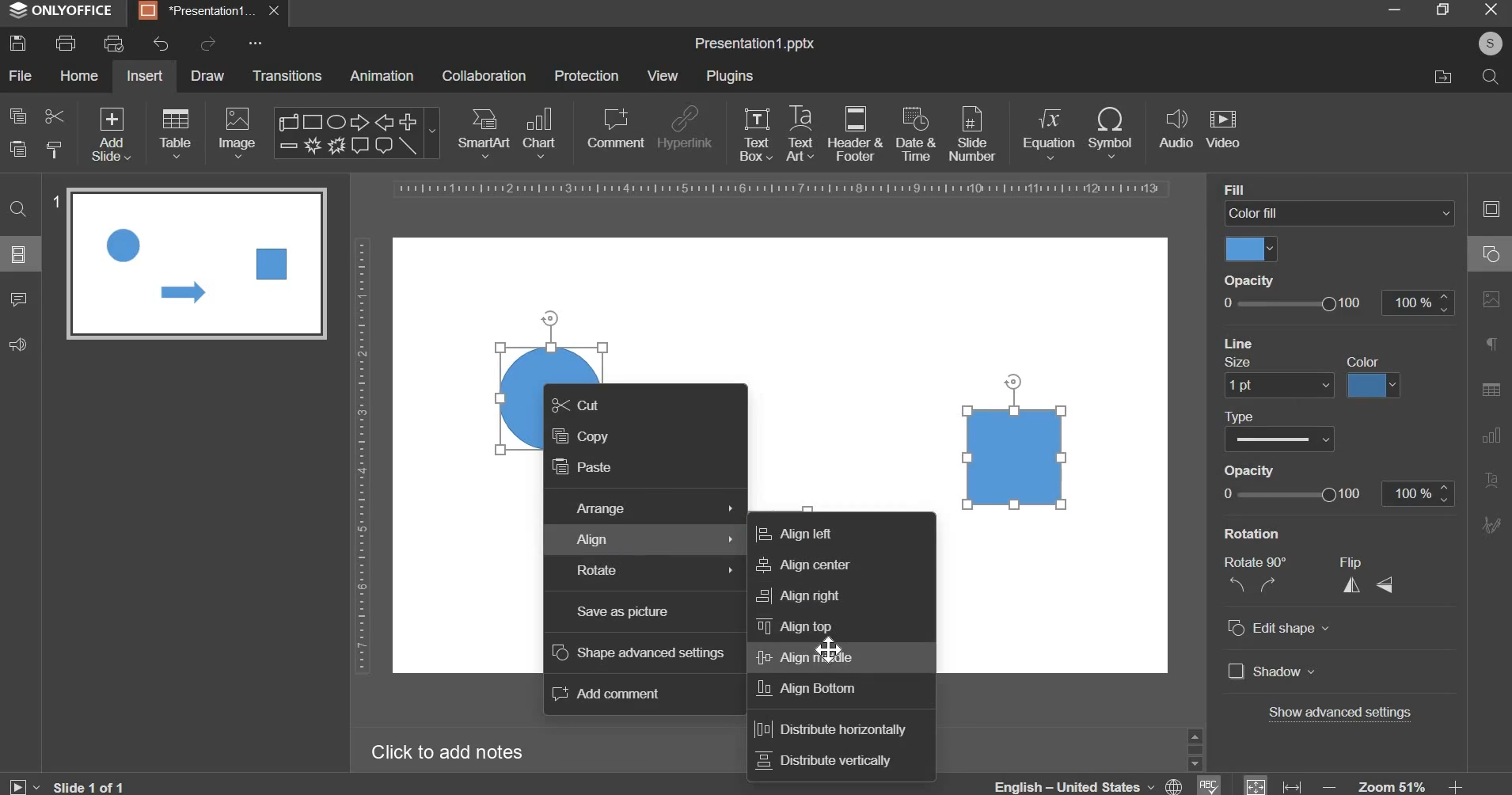 This screenshot has width=1512, height=795. Describe the element at coordinates (1234, 587) in the screenshot. I see `rotate left 90` at that location.